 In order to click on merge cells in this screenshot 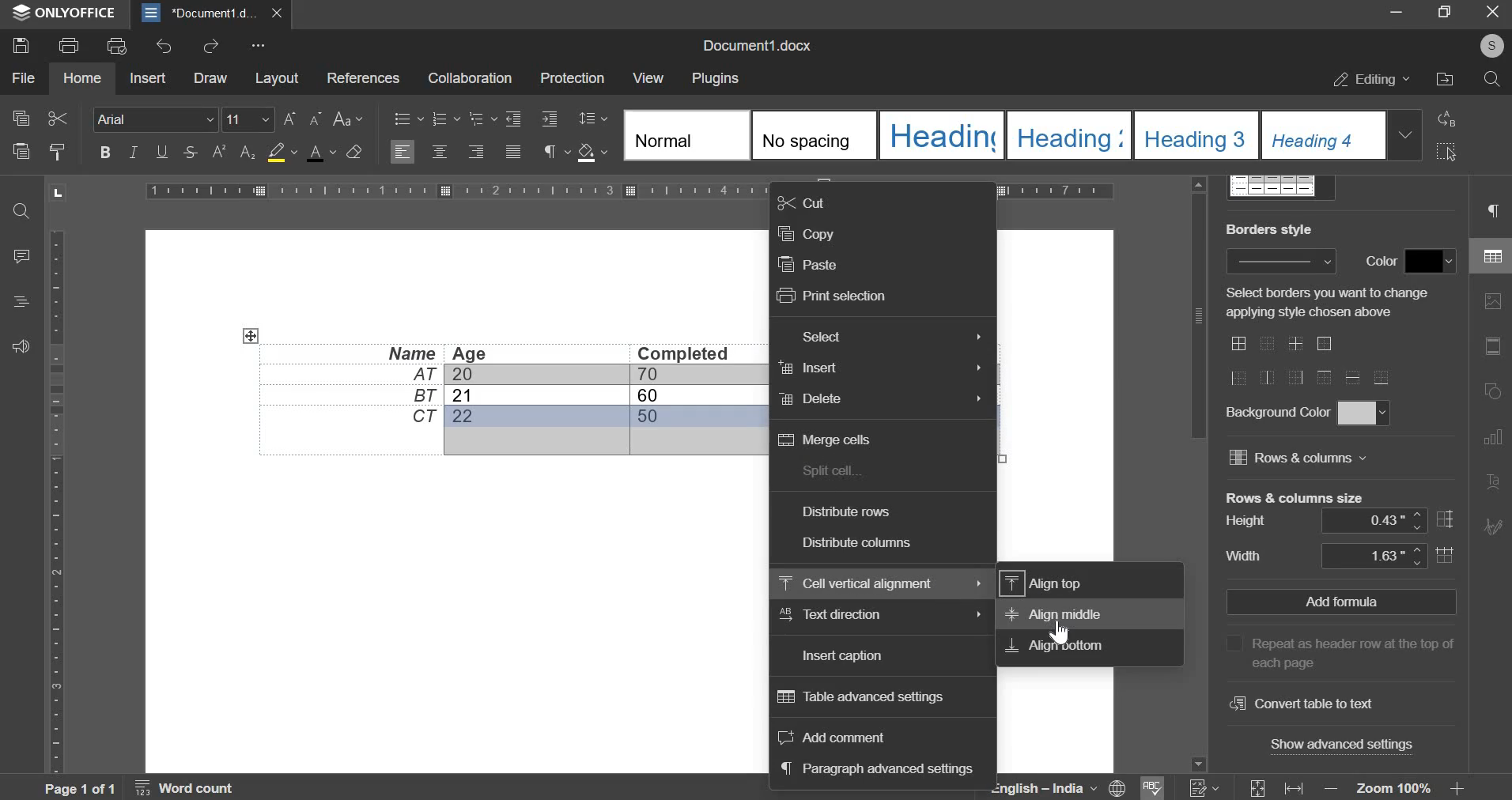, I will do `click(825, 437)`.